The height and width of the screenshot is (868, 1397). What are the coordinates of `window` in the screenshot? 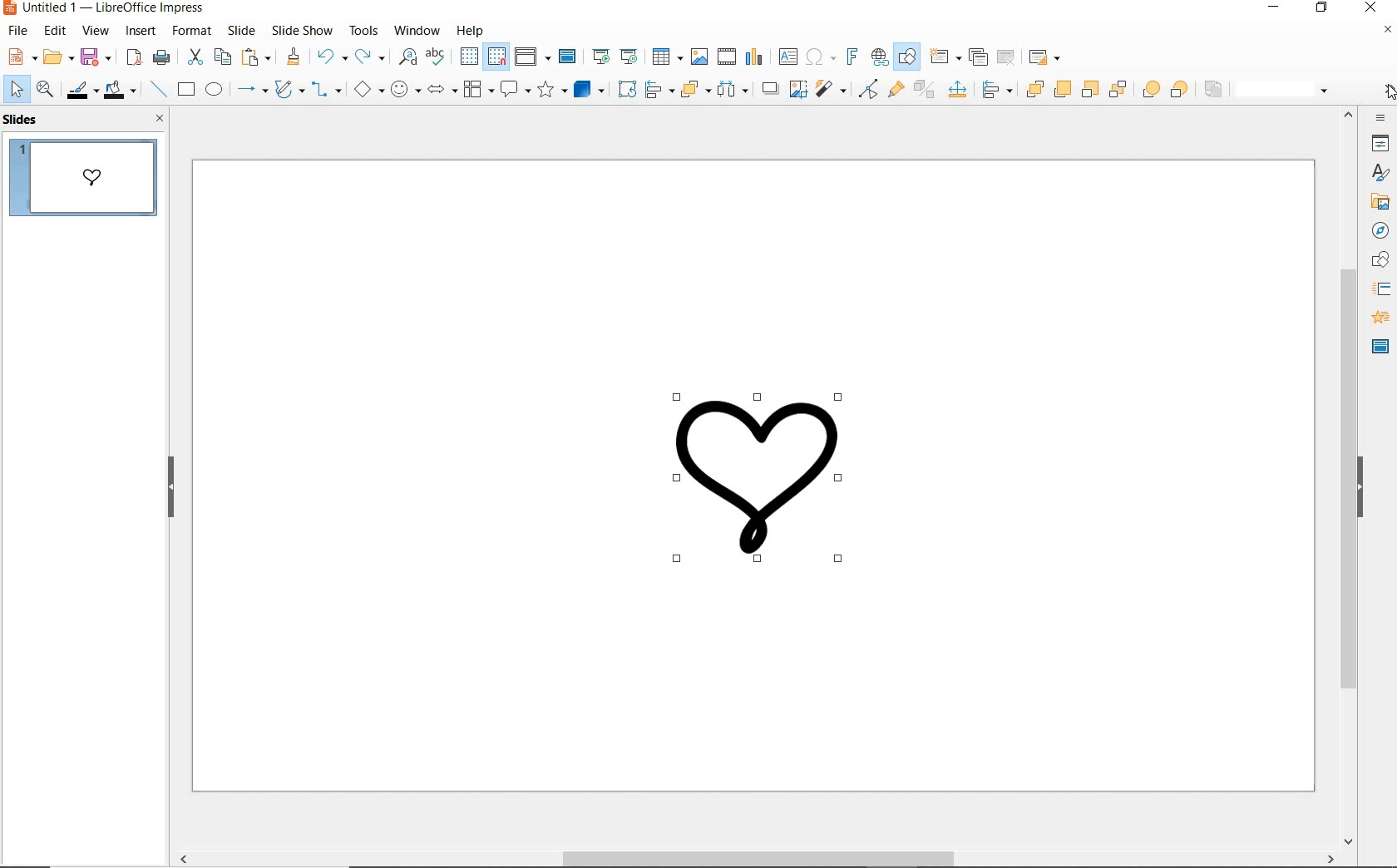 It's located at (416, 31).